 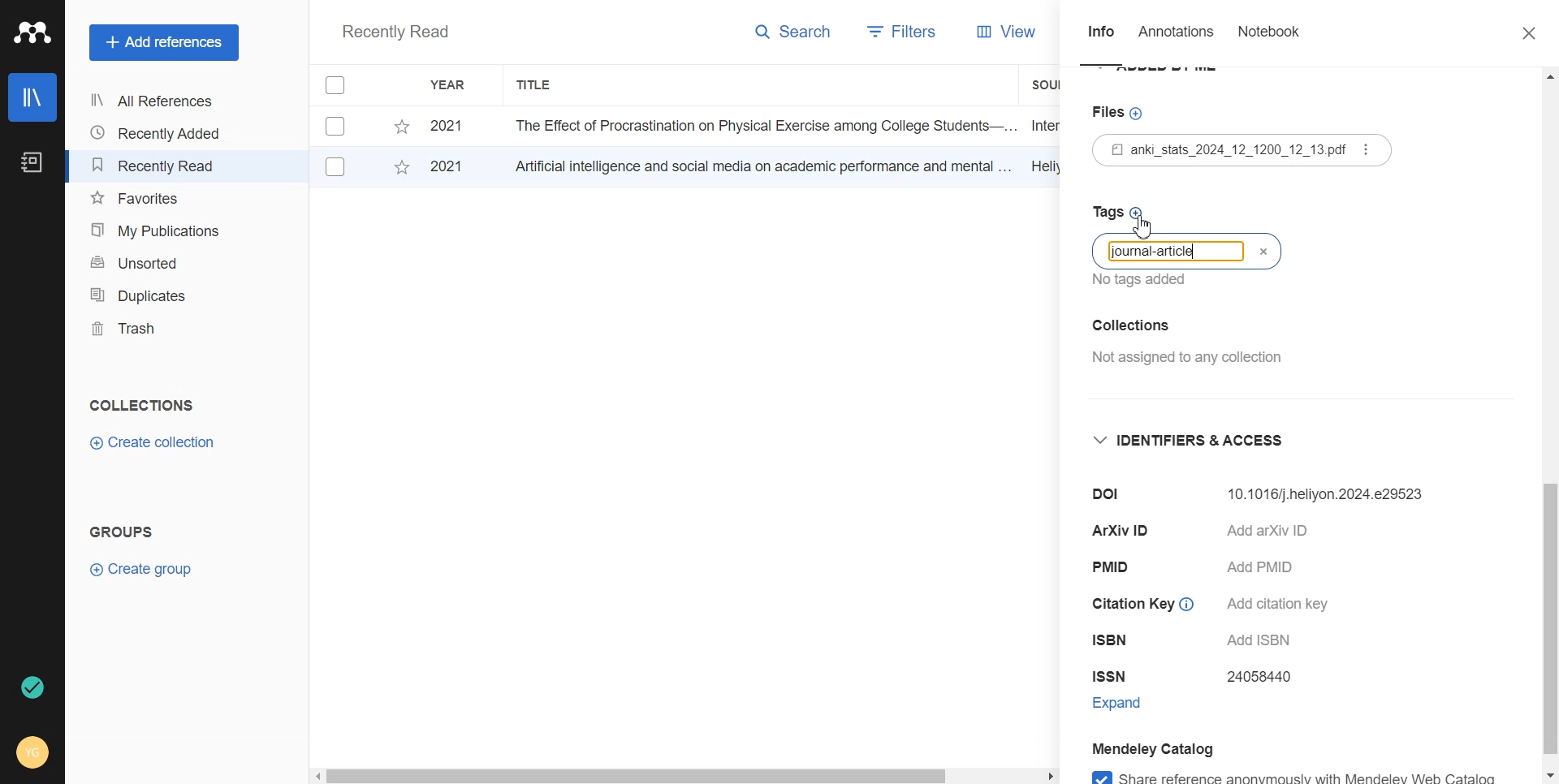 What do you see at coordinates (339, 125) in the screenshot?
I see `Checkbox` at bounding box center [339, 125].